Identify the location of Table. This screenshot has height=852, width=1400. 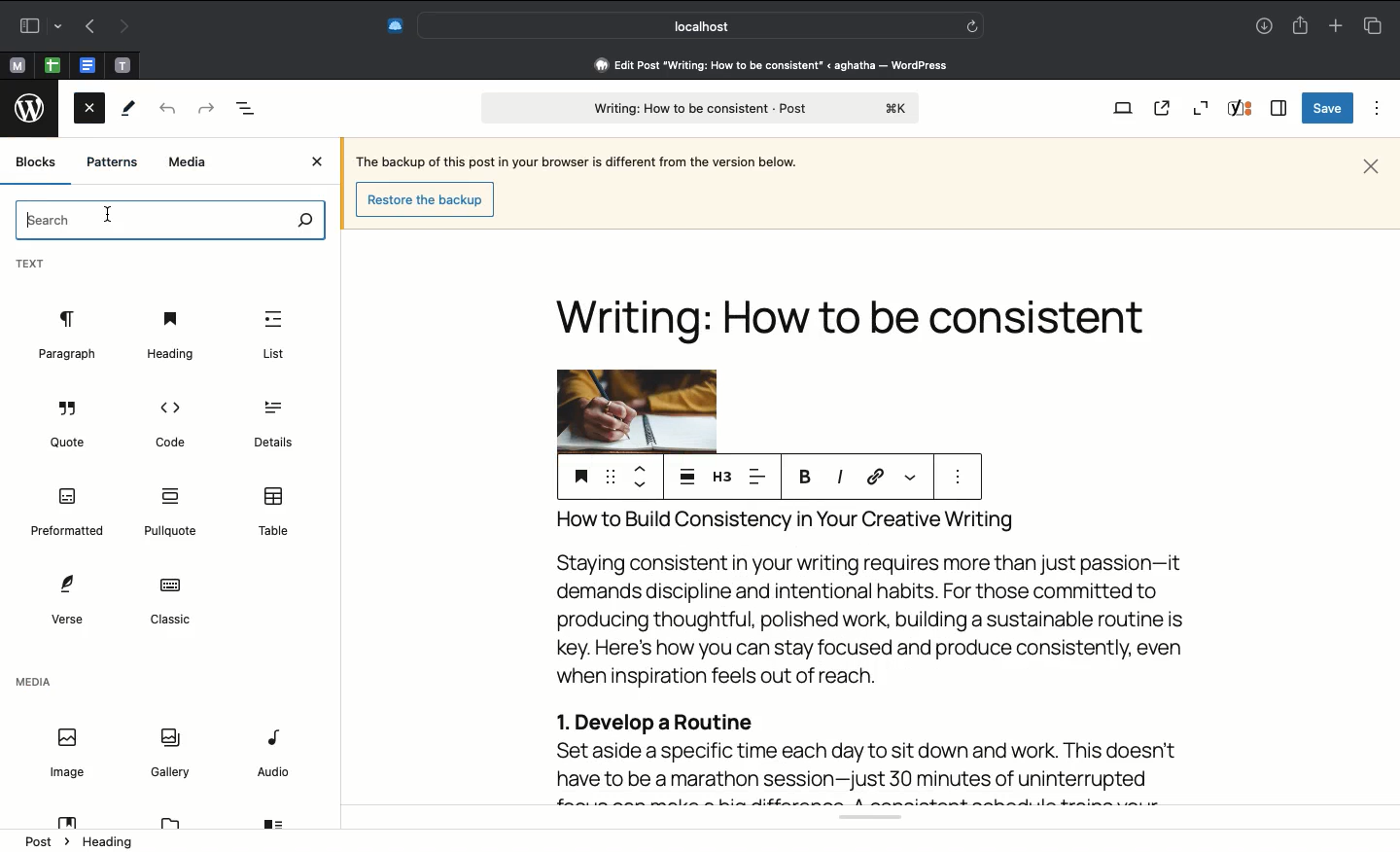
(276, 512).